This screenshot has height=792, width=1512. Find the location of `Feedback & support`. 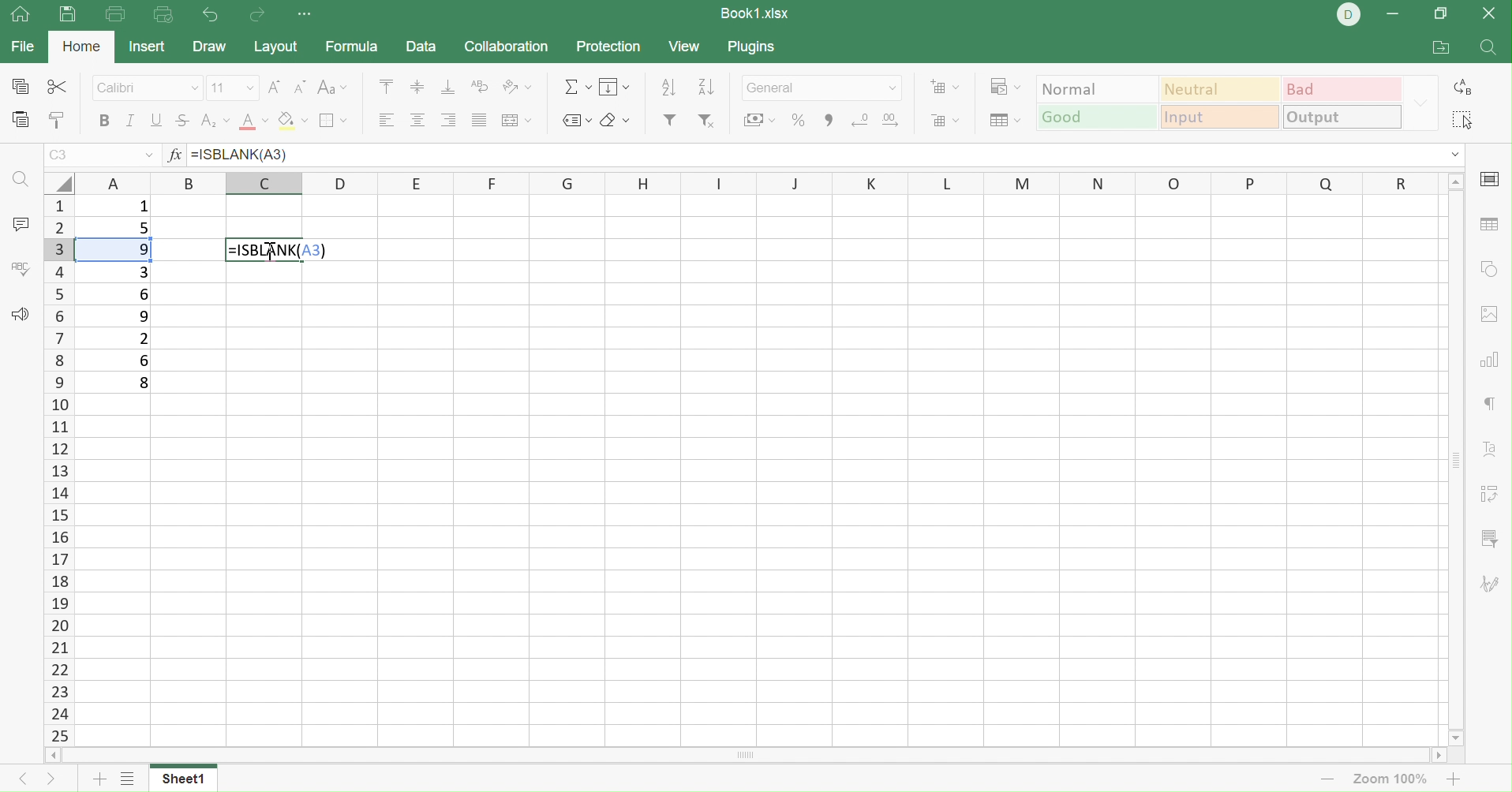

Feedback & support is located at coordinates (20, 313).